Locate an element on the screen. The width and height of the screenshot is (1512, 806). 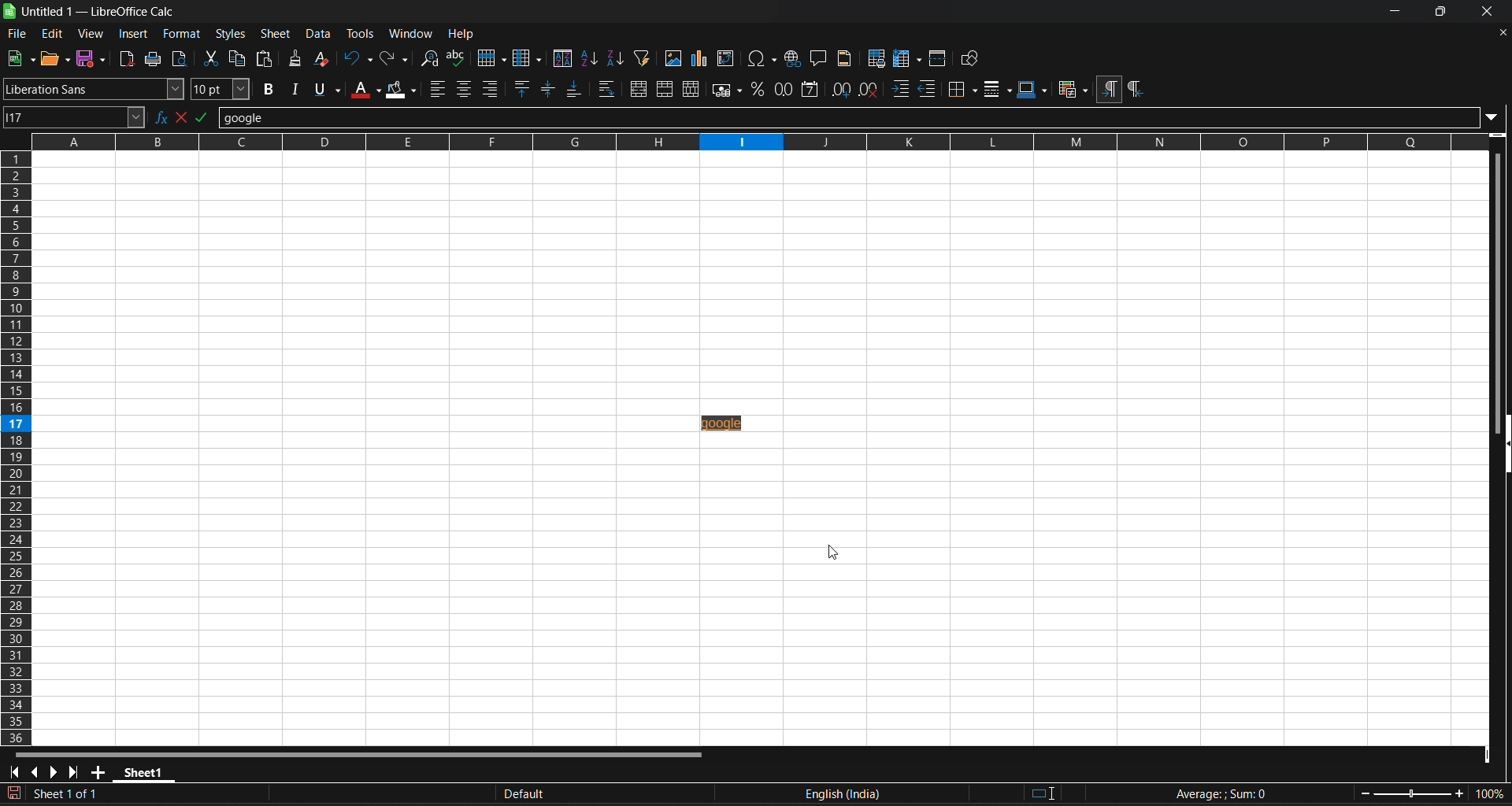
close is located at coordinates (1484, 11).